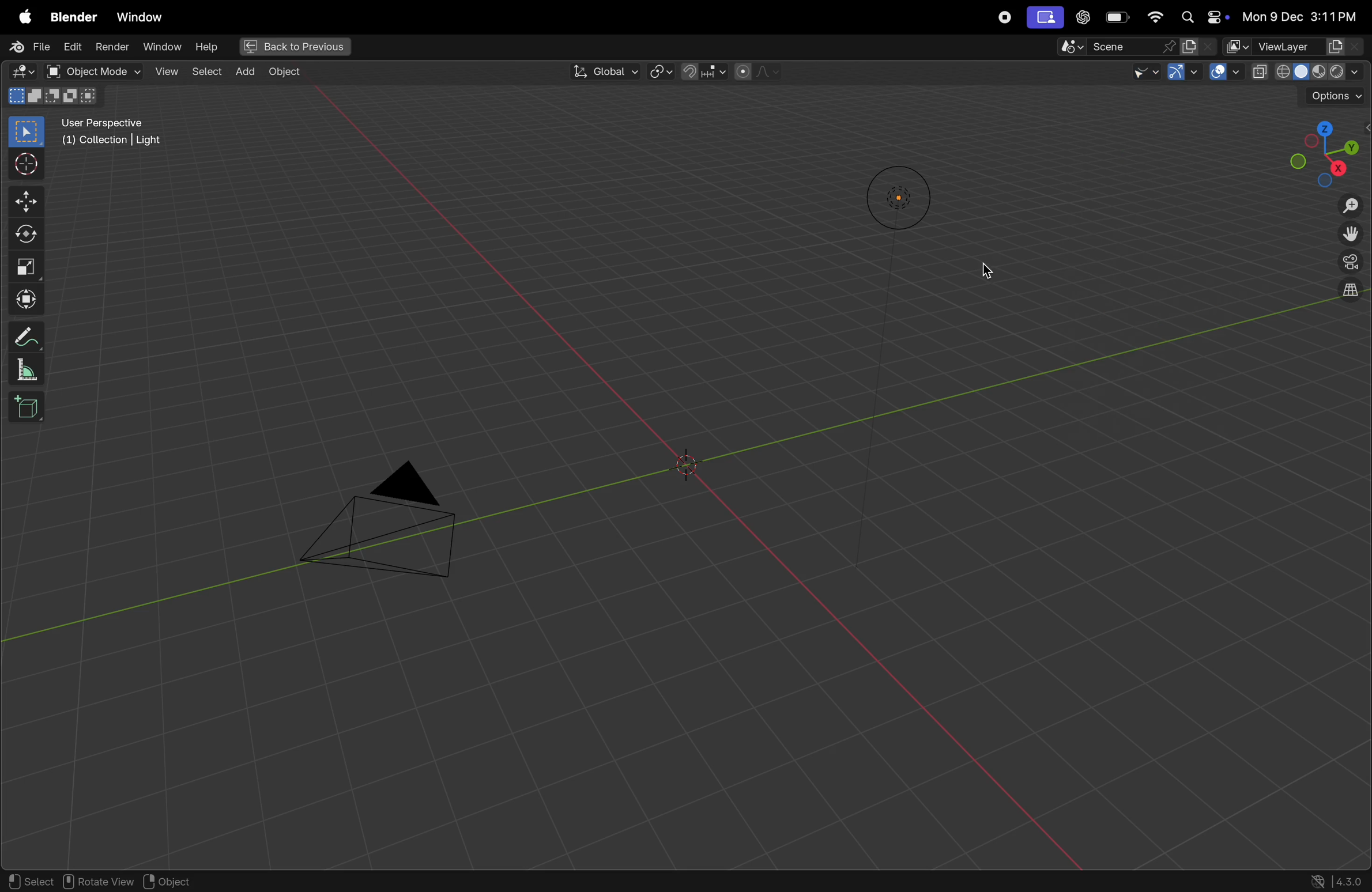  What do you see at coordinates (1334, 95) in the screenshot?
I see `options` at bounding box center [1334, 95].